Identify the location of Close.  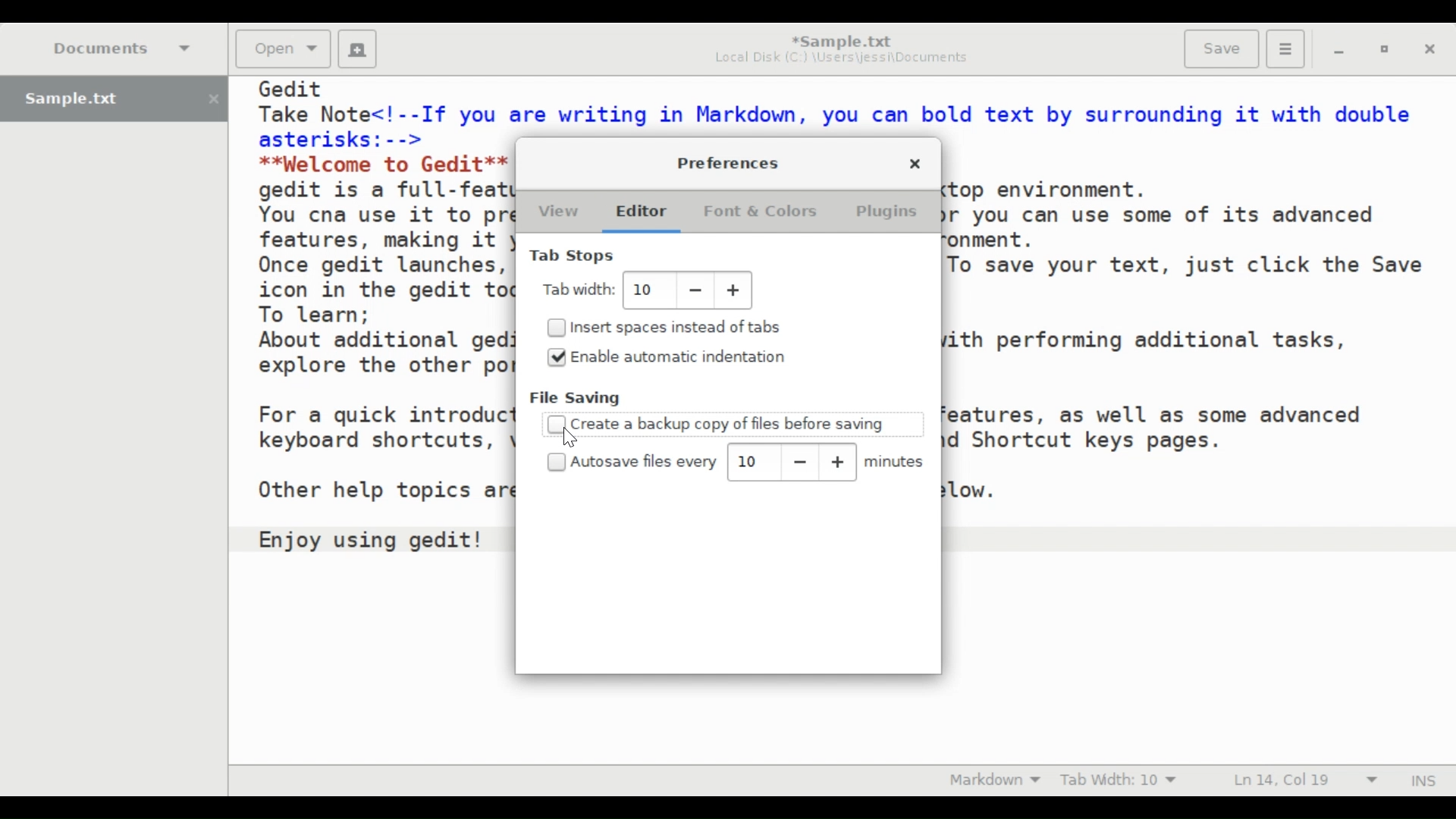
(1430, 50).